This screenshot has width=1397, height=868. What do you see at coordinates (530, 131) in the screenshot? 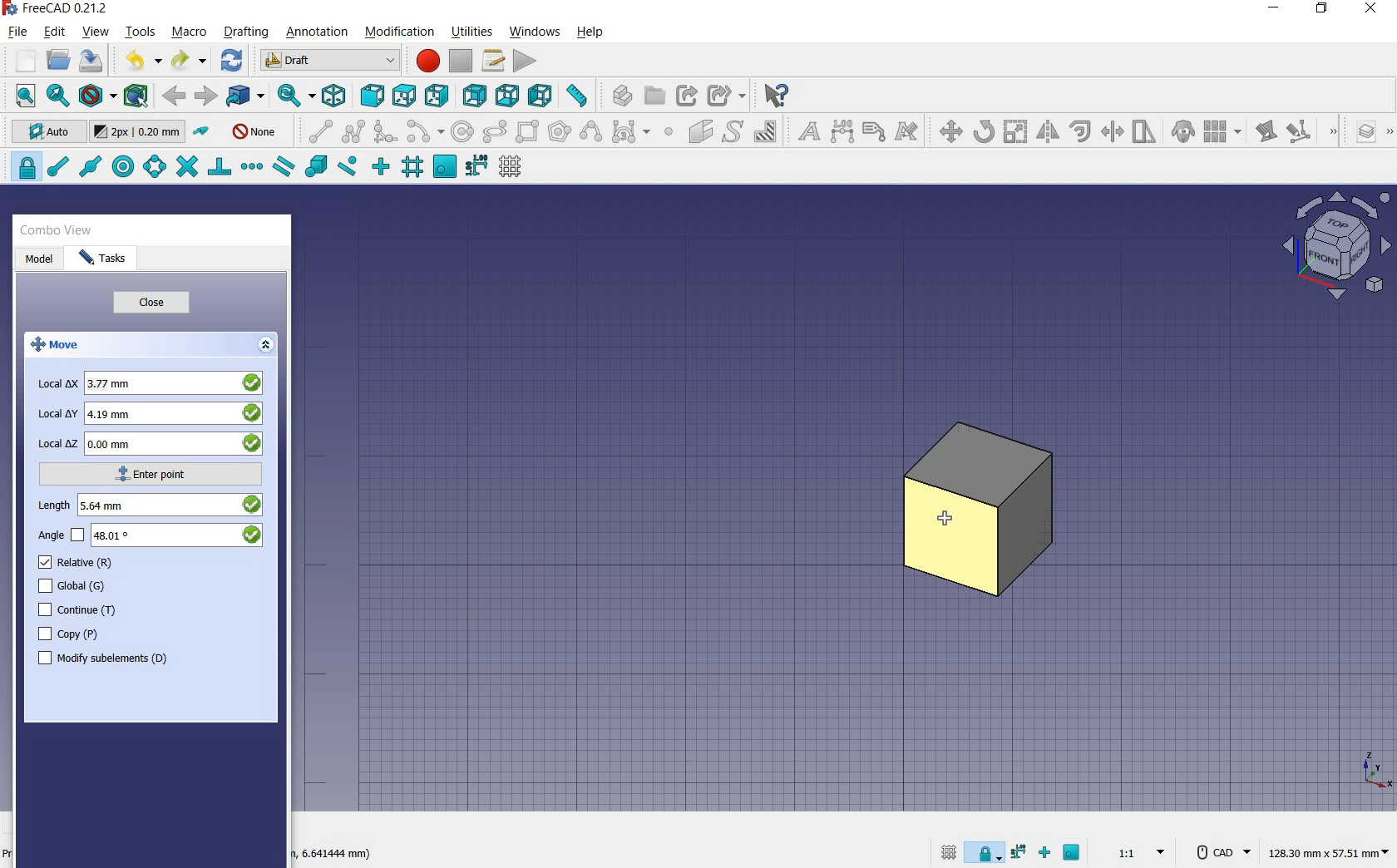
I see `rectangle` at bounding box center [530, 131].